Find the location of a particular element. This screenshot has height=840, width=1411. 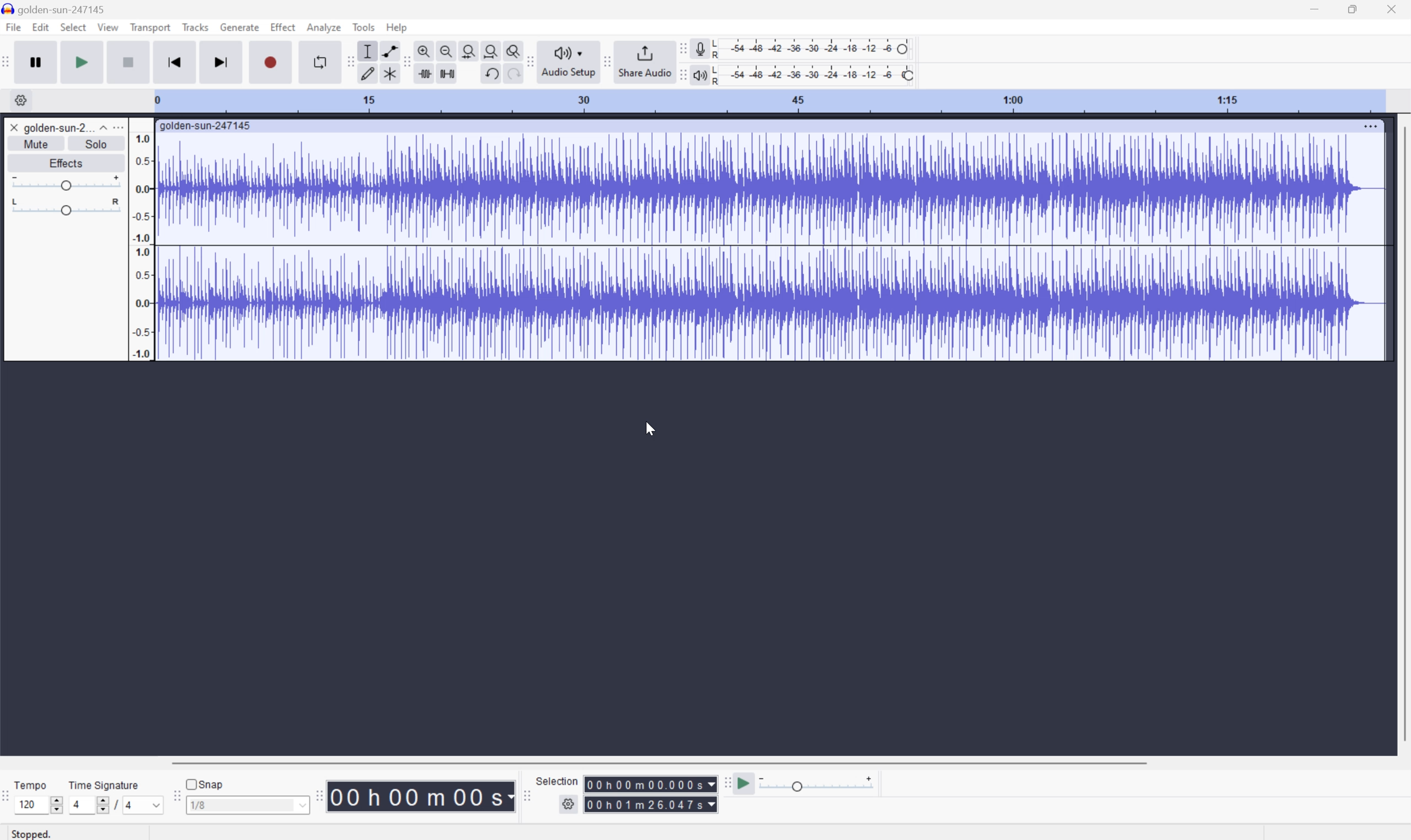

Audacity time signature toolbar is located at coordinates (9, 802).